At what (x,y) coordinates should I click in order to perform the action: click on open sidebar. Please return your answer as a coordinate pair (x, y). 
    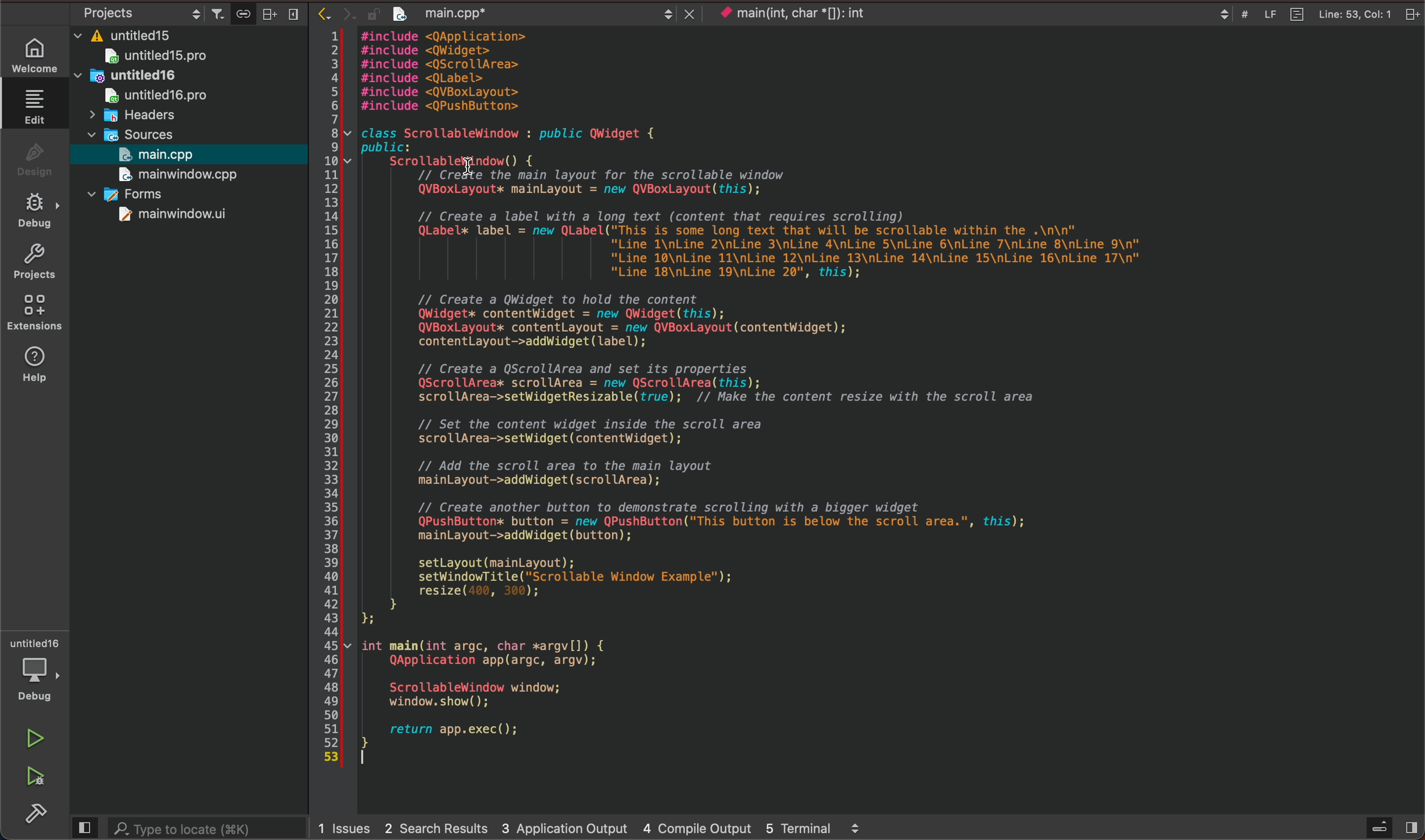
    Looking at the image, I should click on (1386, 828).